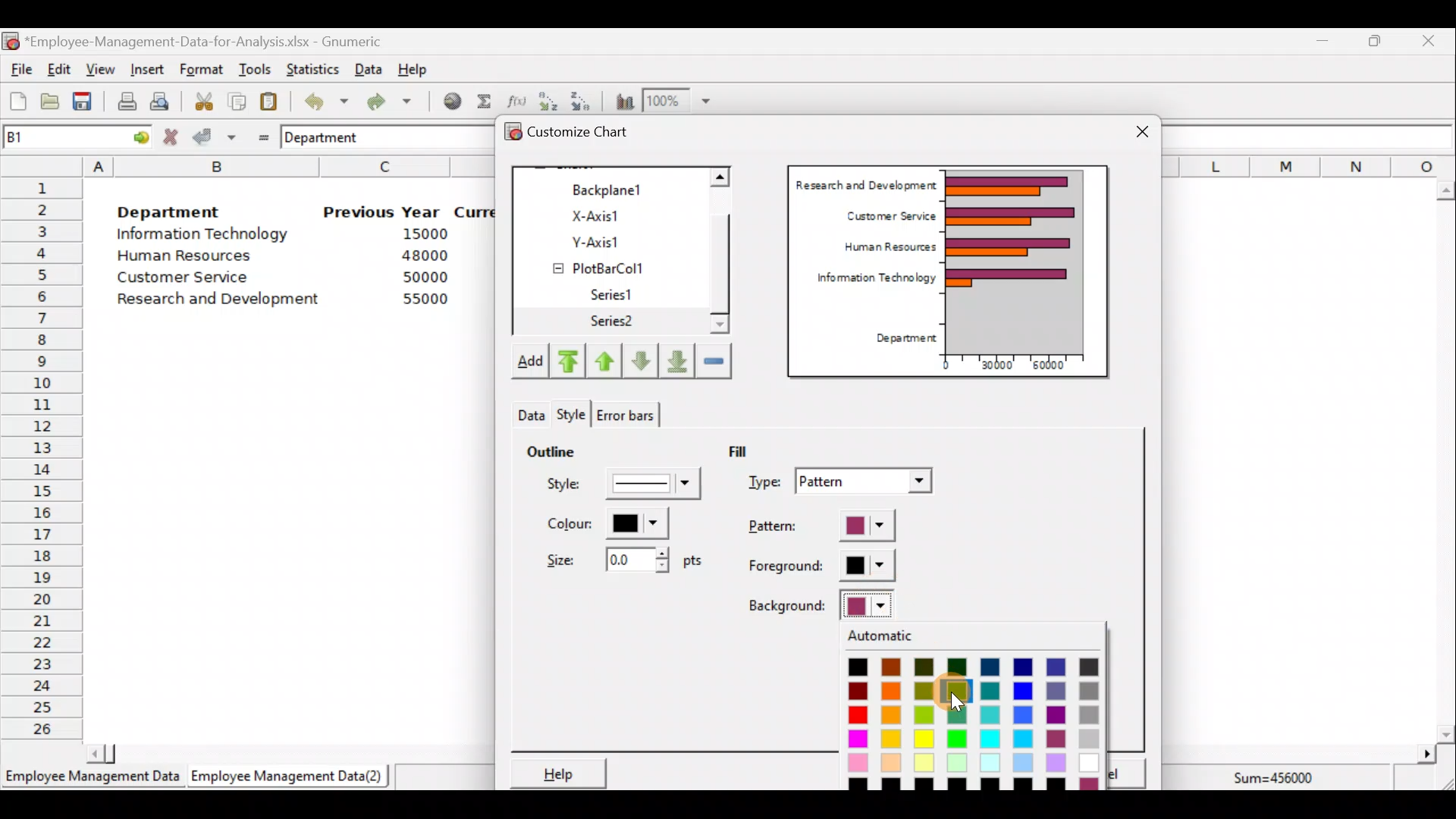 This screenshot has width=1456, height=819. What do you see at coordinates (823, 566) in the screenshot?
I see `Foreground` at bounding box center [823, 566].